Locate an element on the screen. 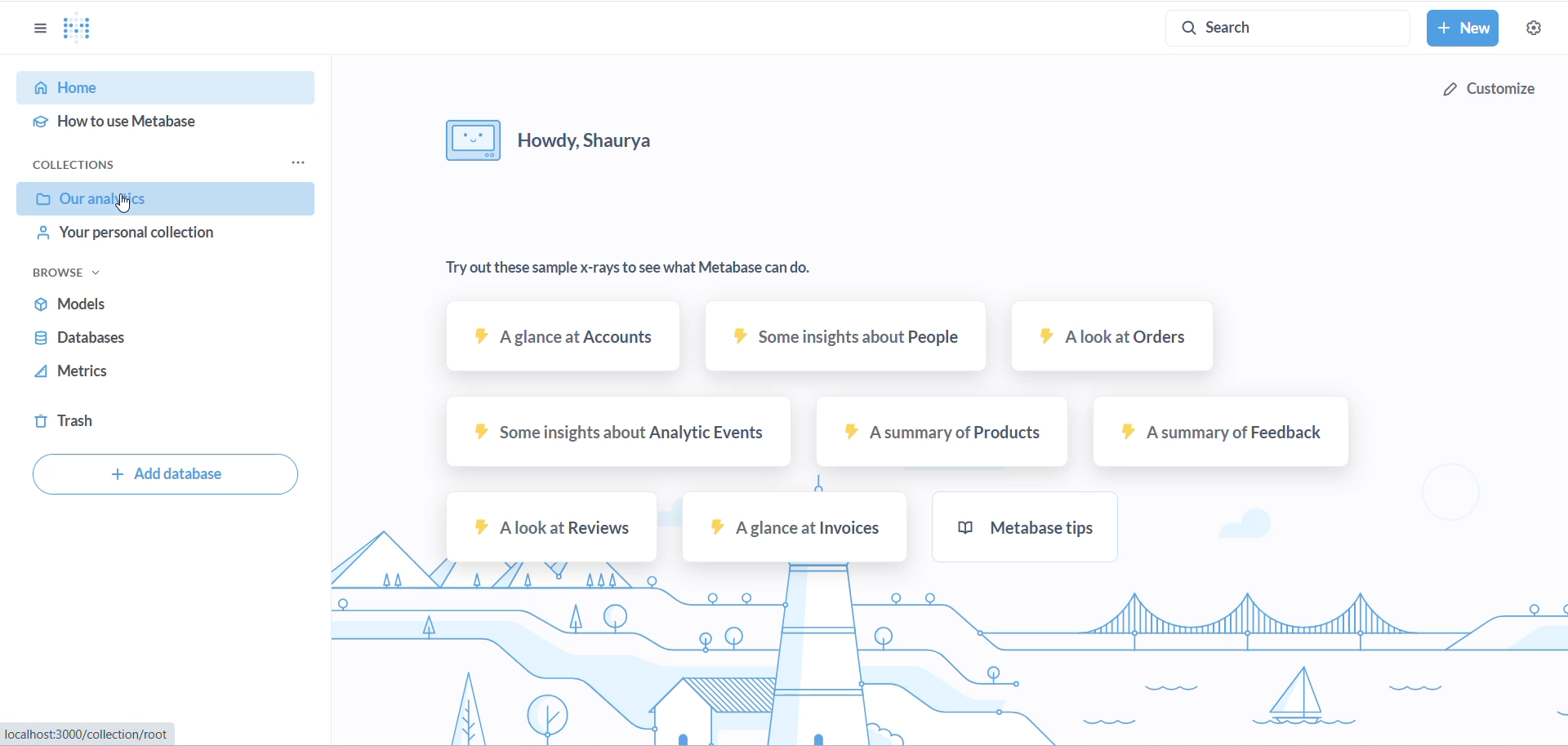 This screenshot has width=1568, height=746. A glance at invoices is located at coordinates (800, 528).